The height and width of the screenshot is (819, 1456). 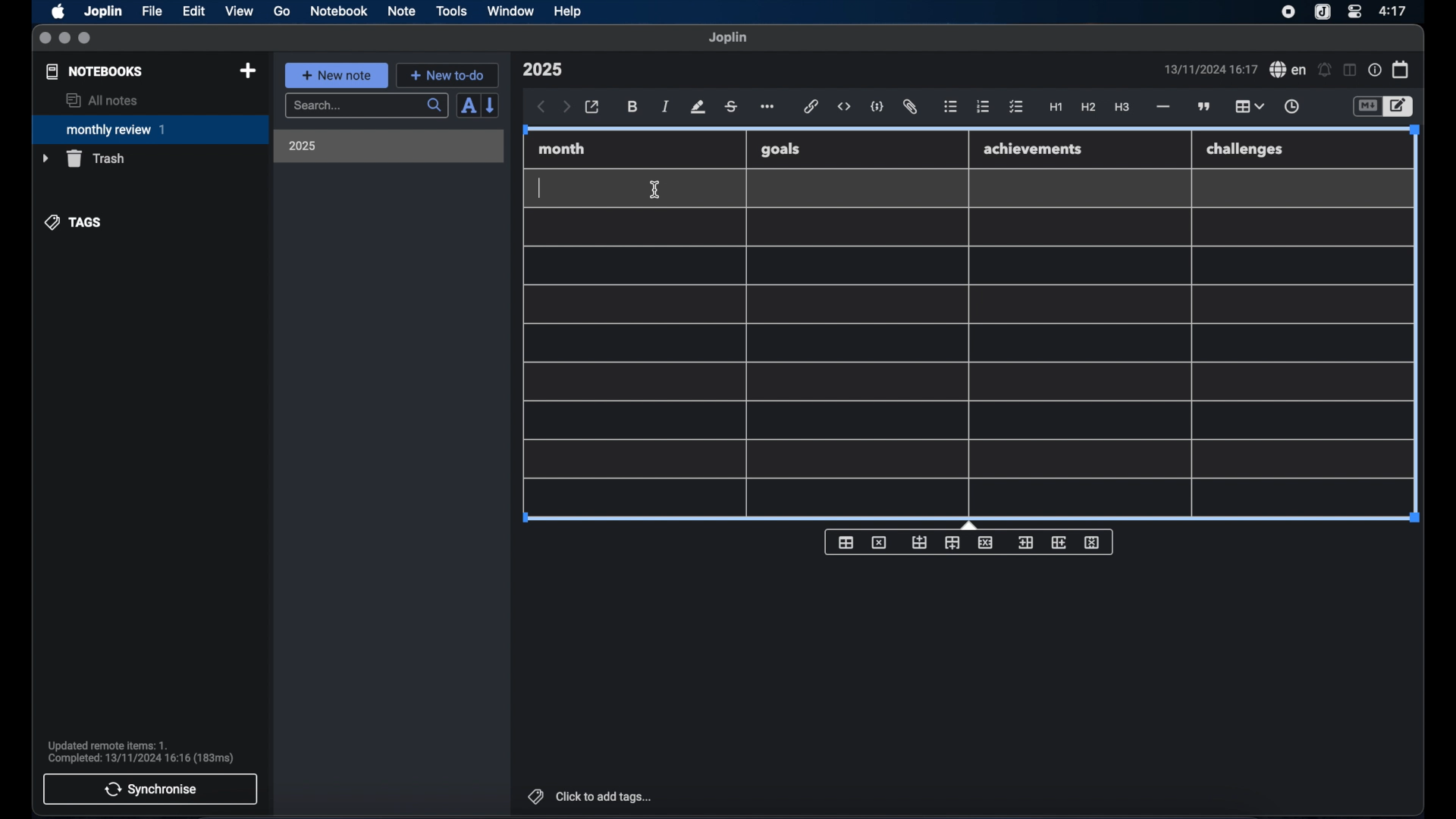 I want to click on achievements, so click(x=1034, y=149).